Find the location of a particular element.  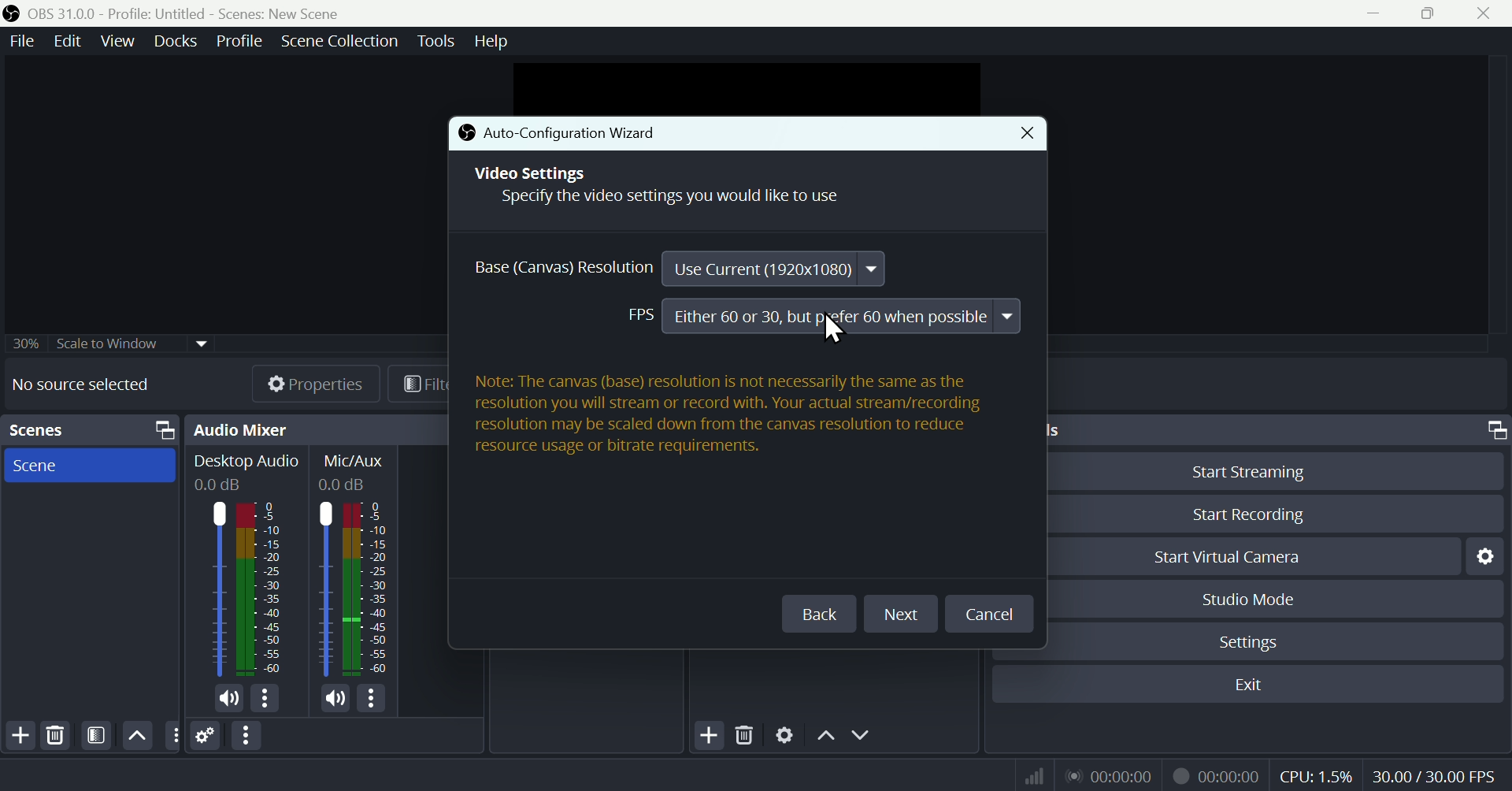

Settings is located at coordinates (785, 733).